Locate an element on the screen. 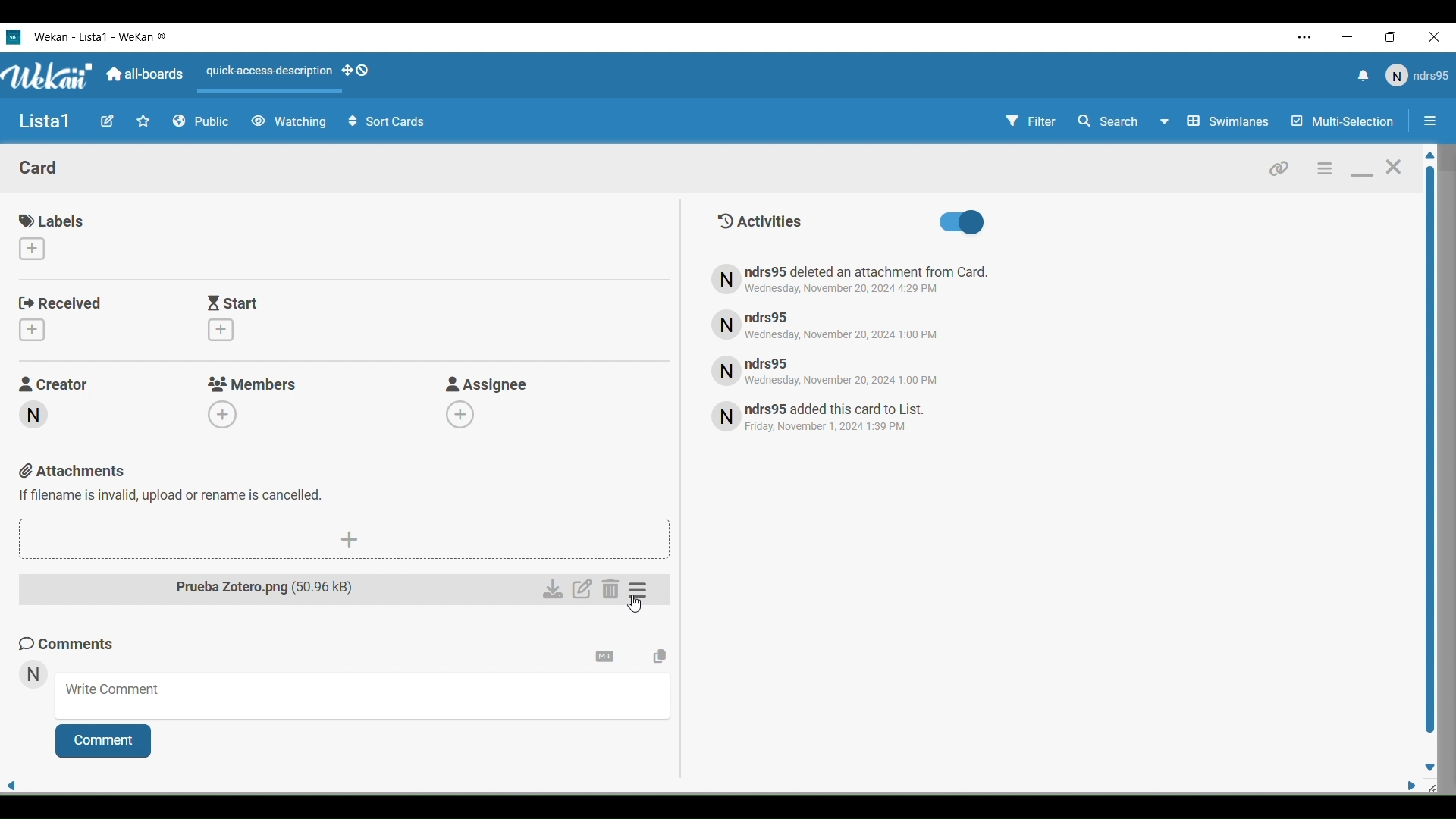 The width and height of the screenshot is (1456, 819). Favorites is located at coordinates (143, 121).